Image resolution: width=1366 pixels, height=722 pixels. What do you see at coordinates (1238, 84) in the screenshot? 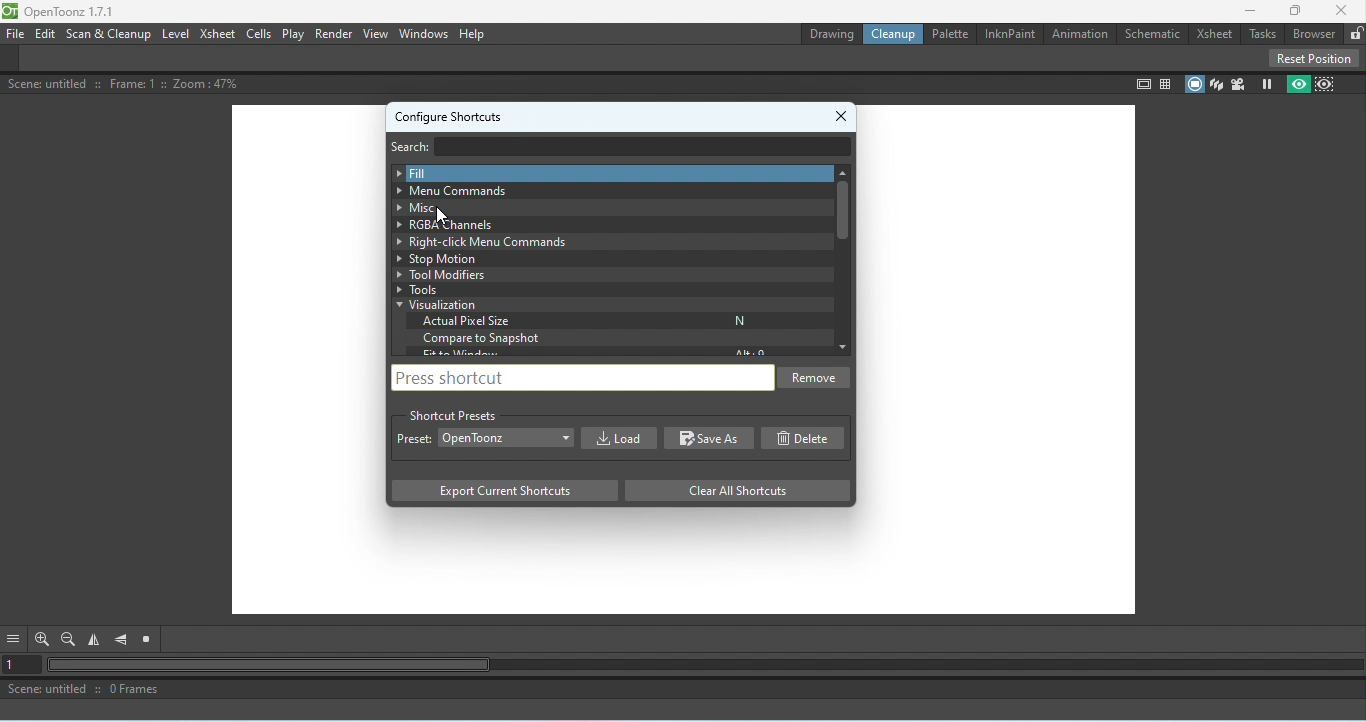
I see `Camera view` at bounding box center [1238, 84].